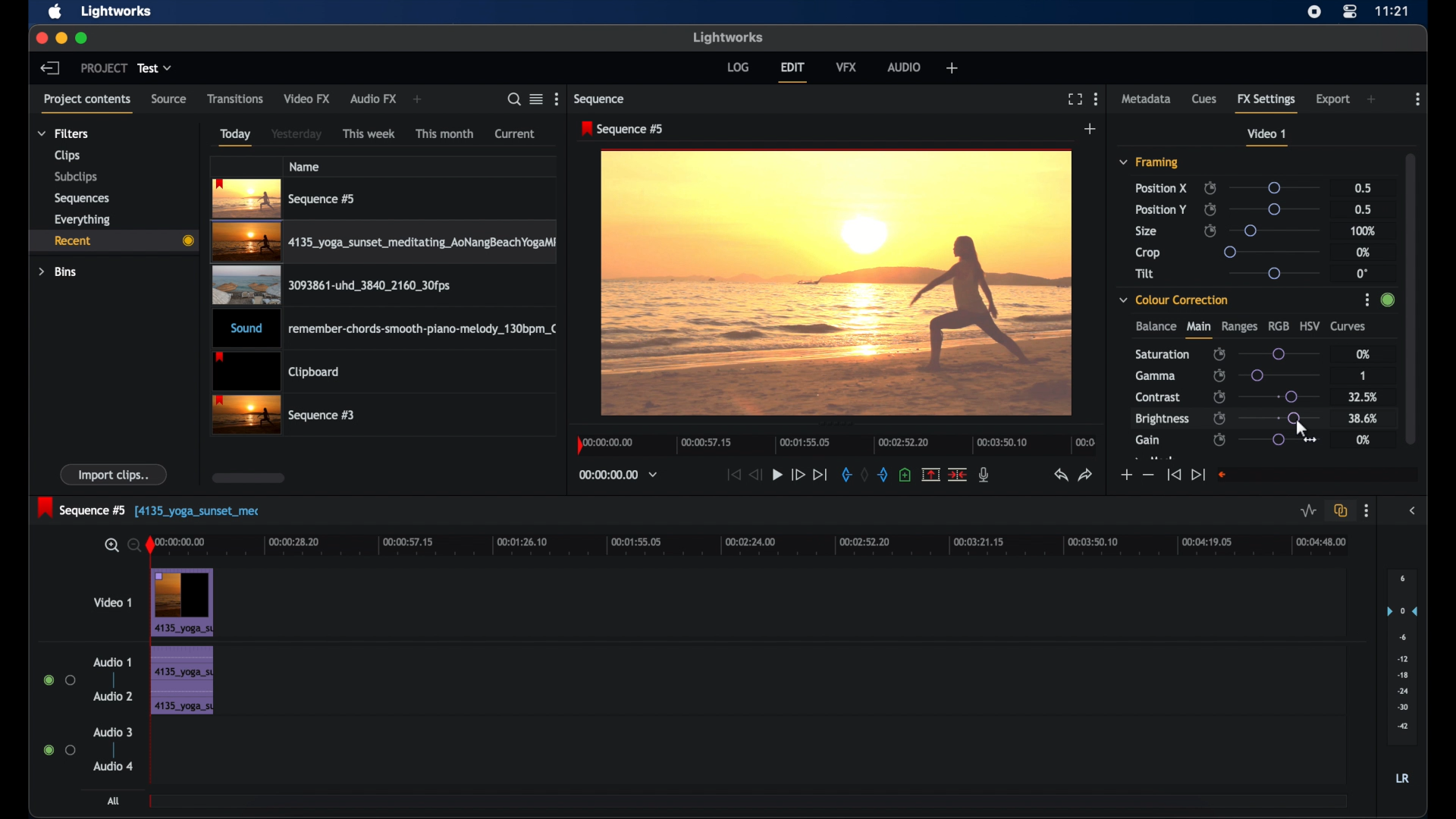 This screenshot has width=1456, height=819. Describe the element at coordinates (82, 199) in the screenshot. I see `sequences` at that location.